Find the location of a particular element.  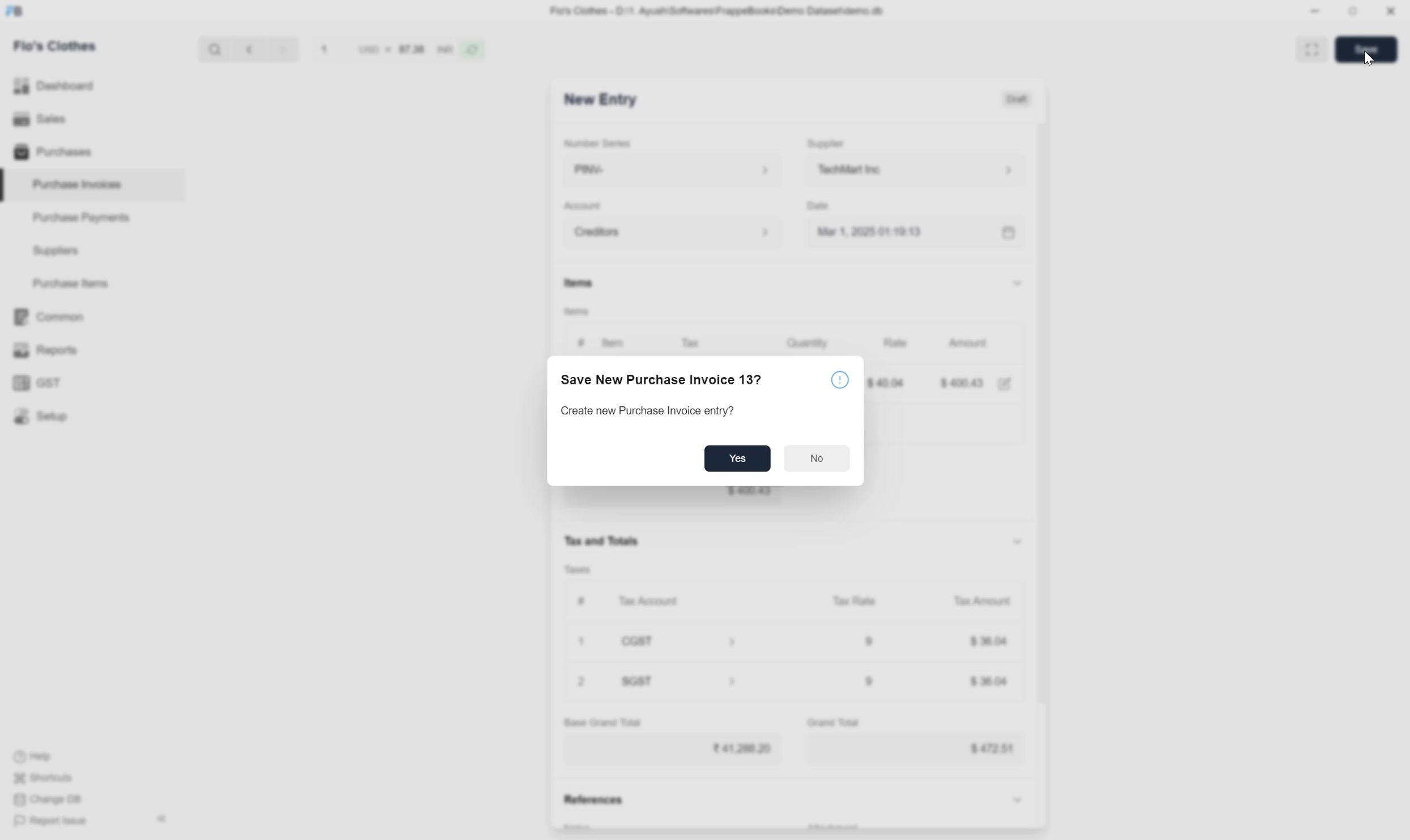

cursor is located at coordinates (1367, 58).